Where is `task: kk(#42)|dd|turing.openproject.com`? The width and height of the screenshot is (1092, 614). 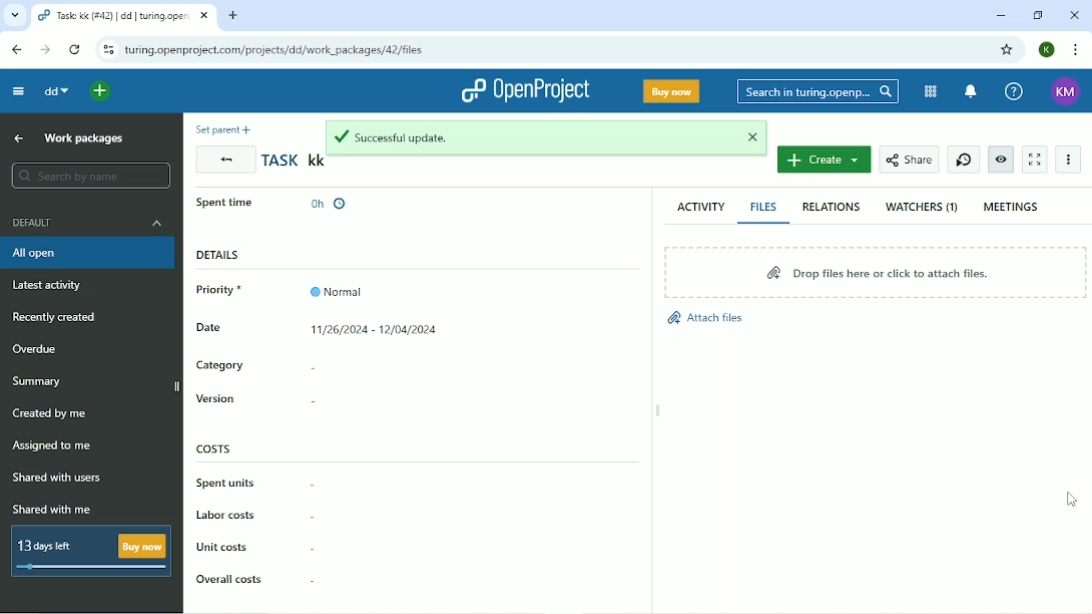
task: kk(#42)|dd|turing.openproject.com is located at coordinates (124, 16).